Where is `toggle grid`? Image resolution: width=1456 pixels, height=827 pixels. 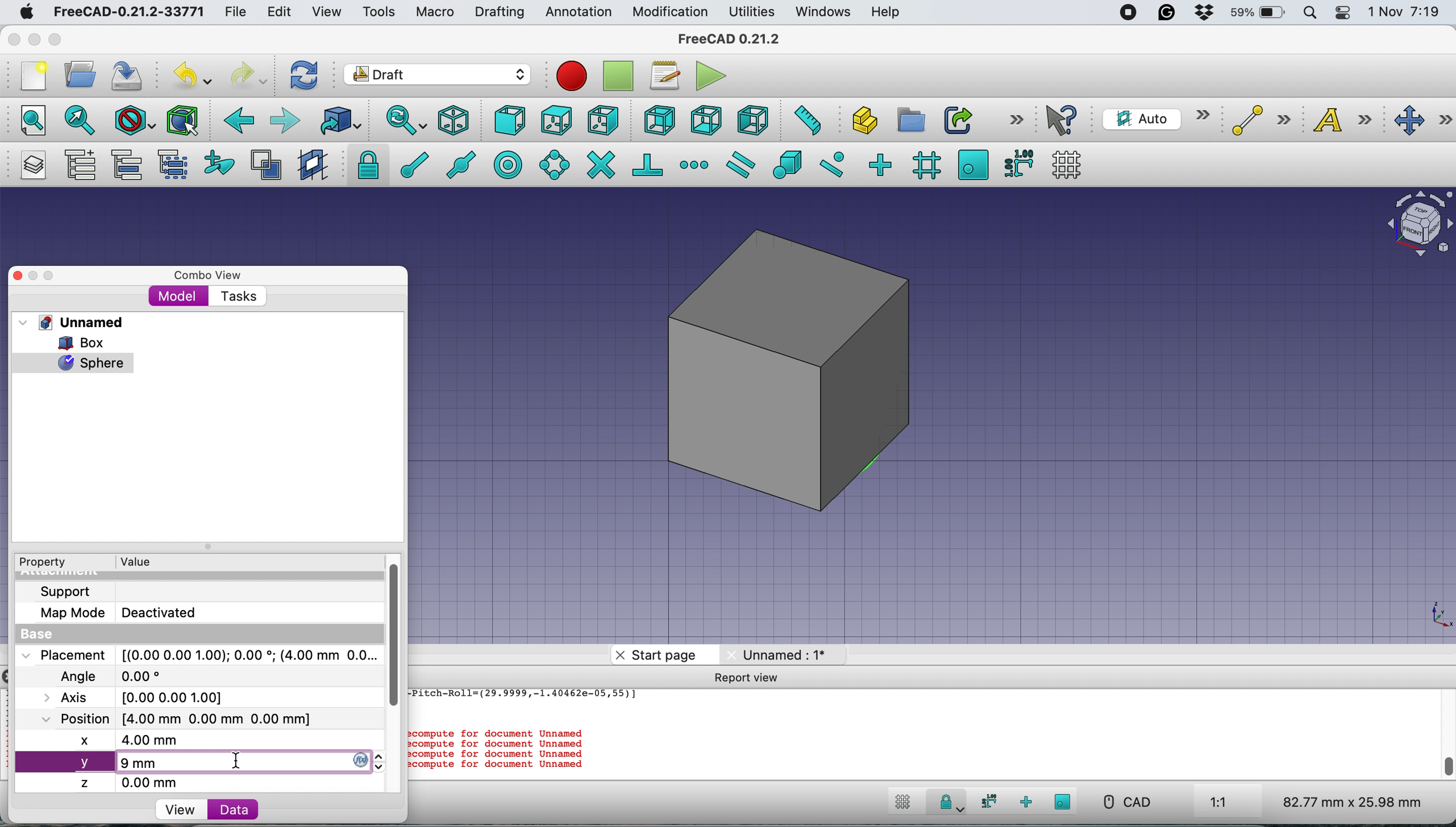
toggle grid is located at coordinates (900, 804).